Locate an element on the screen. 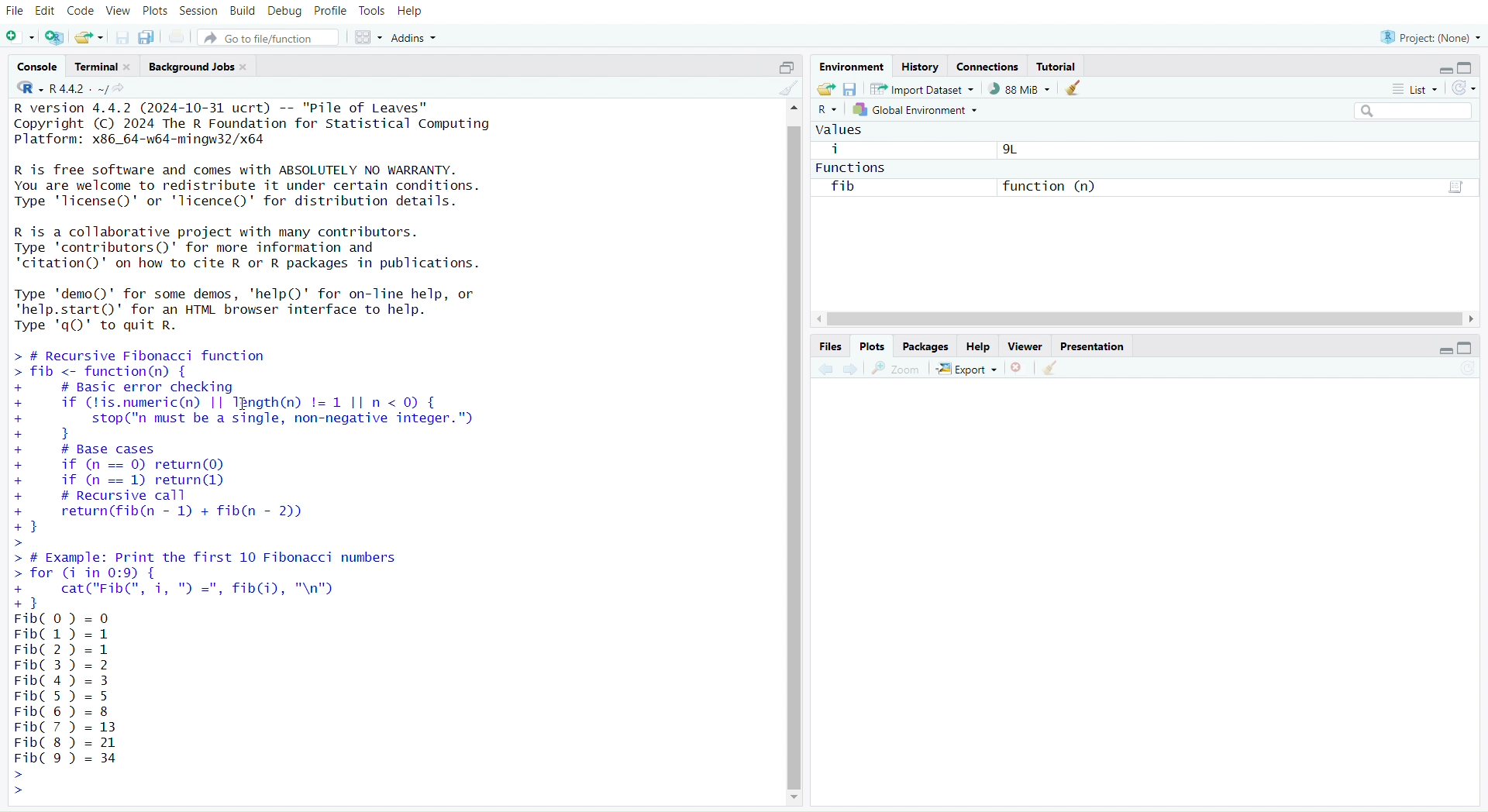 The height and width of the screenshot is (812, 1488). viewer is located at coordinates (1026, 347).